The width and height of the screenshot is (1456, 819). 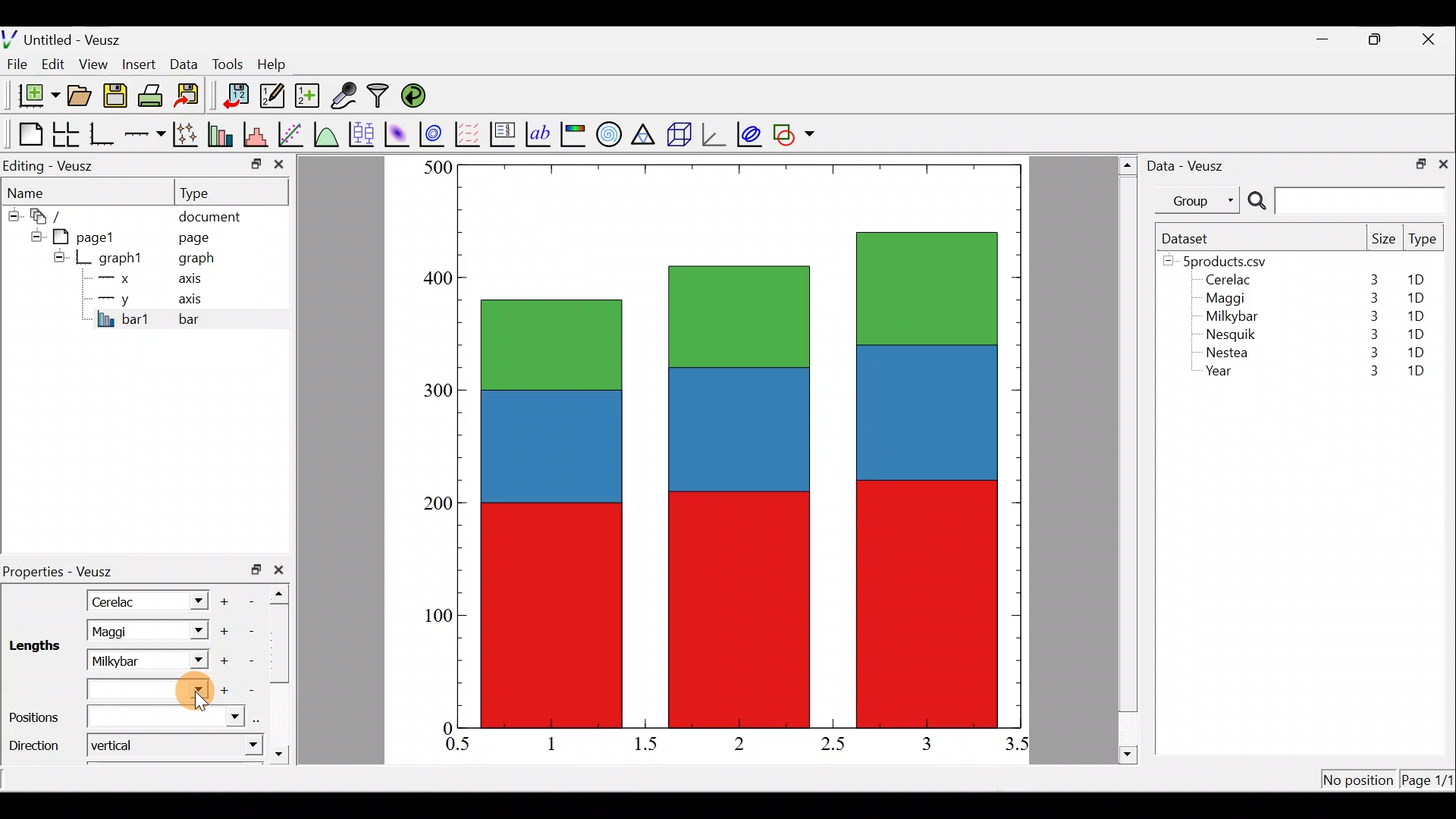 I want to click on restore down, so click(x=1416, y=162).